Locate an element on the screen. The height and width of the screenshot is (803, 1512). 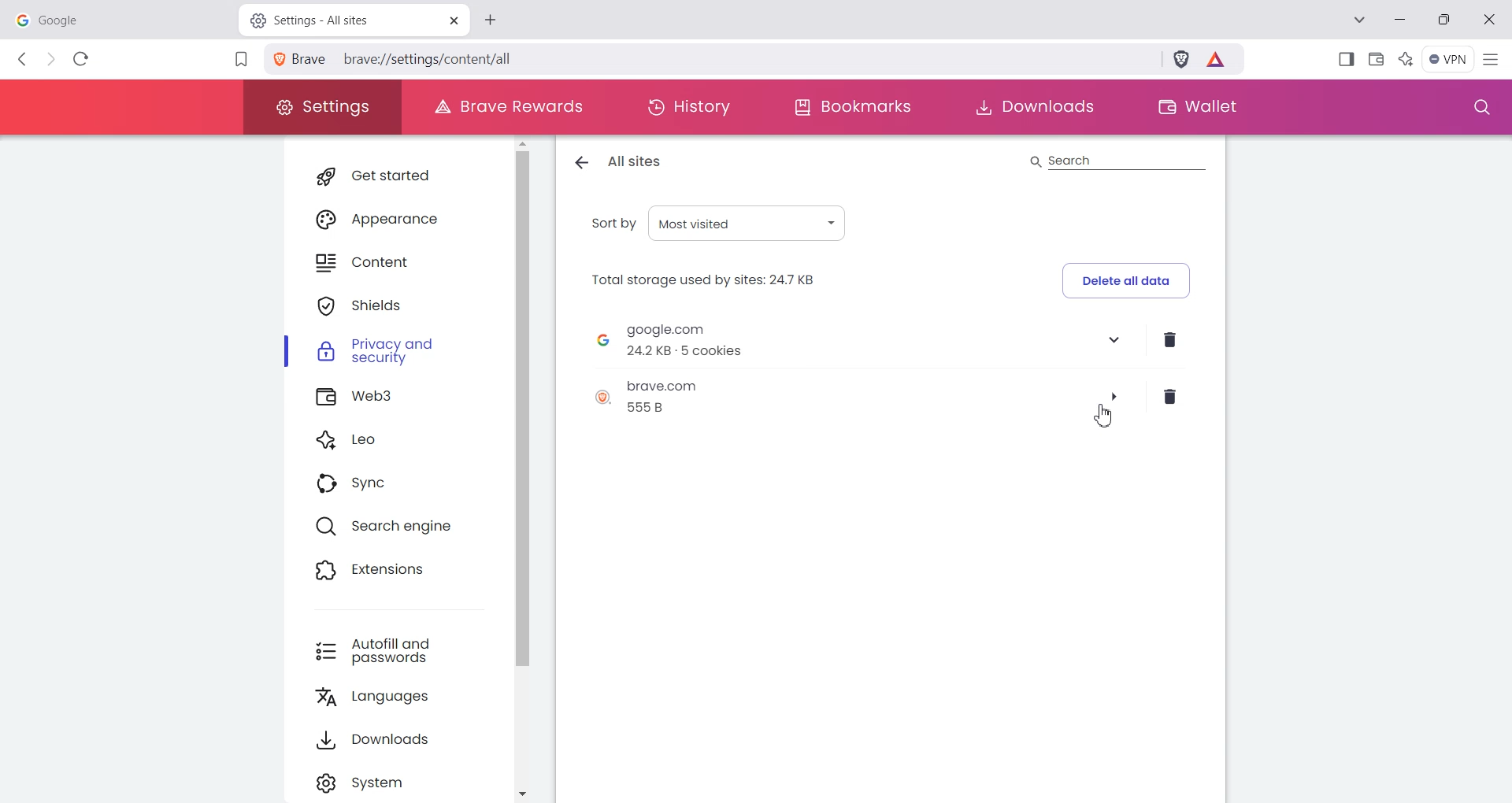
Bookmark is located at coordinates (240, 61).